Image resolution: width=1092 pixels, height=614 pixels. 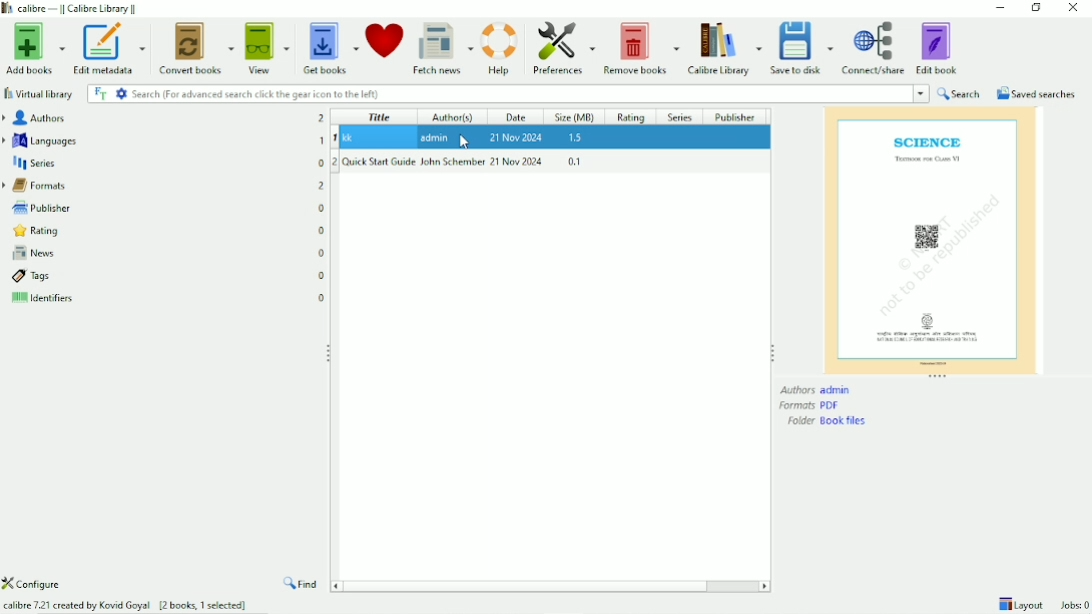 What do you see at coordinates (267, 49) in the screenshot?
I see `View` at bounding box center [267, 49].